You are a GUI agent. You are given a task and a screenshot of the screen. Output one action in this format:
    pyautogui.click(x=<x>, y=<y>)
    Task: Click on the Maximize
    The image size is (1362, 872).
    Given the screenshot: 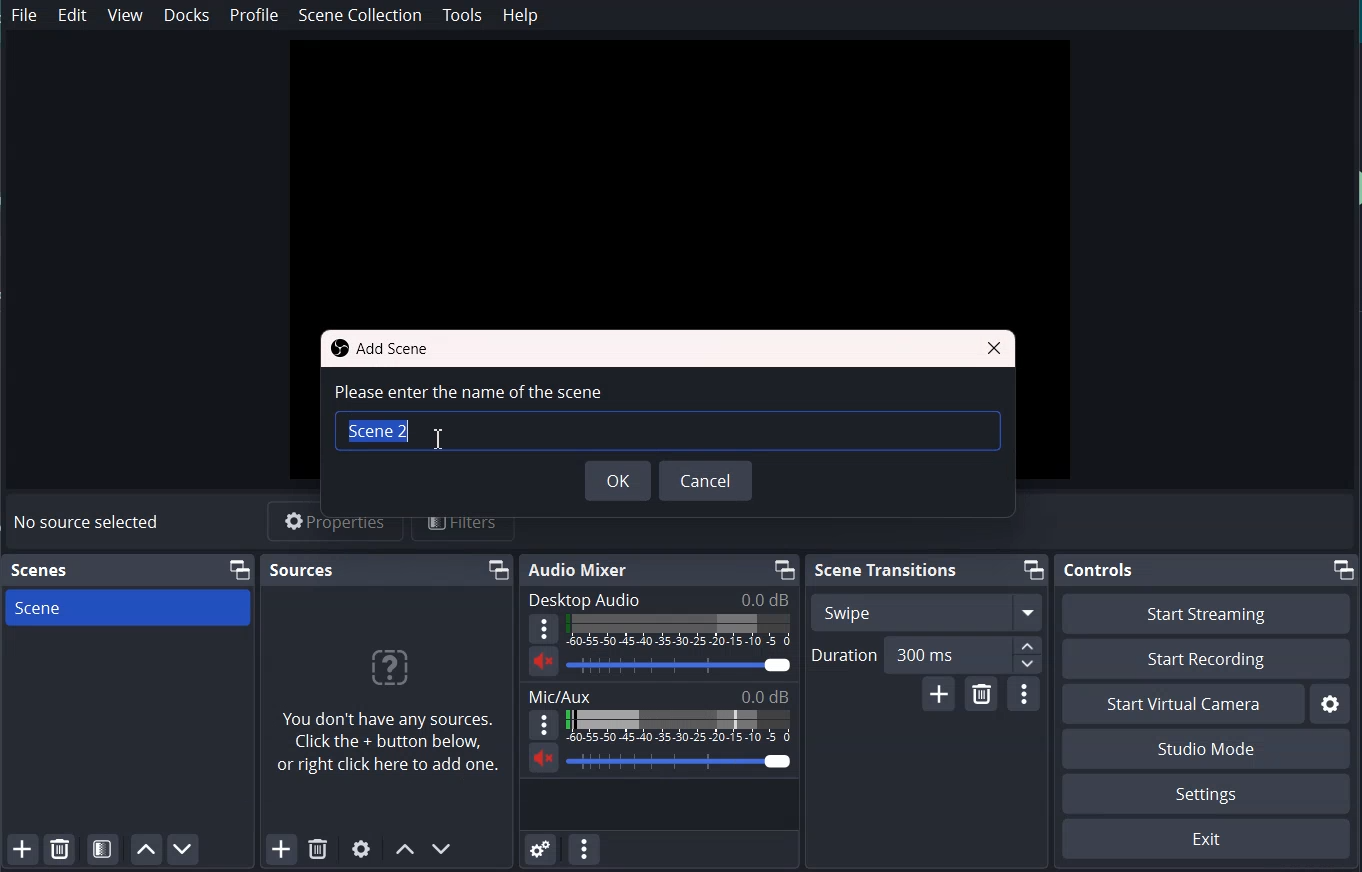 What is the action you would take?
    pyautogui.click(x=499, y=570)
    